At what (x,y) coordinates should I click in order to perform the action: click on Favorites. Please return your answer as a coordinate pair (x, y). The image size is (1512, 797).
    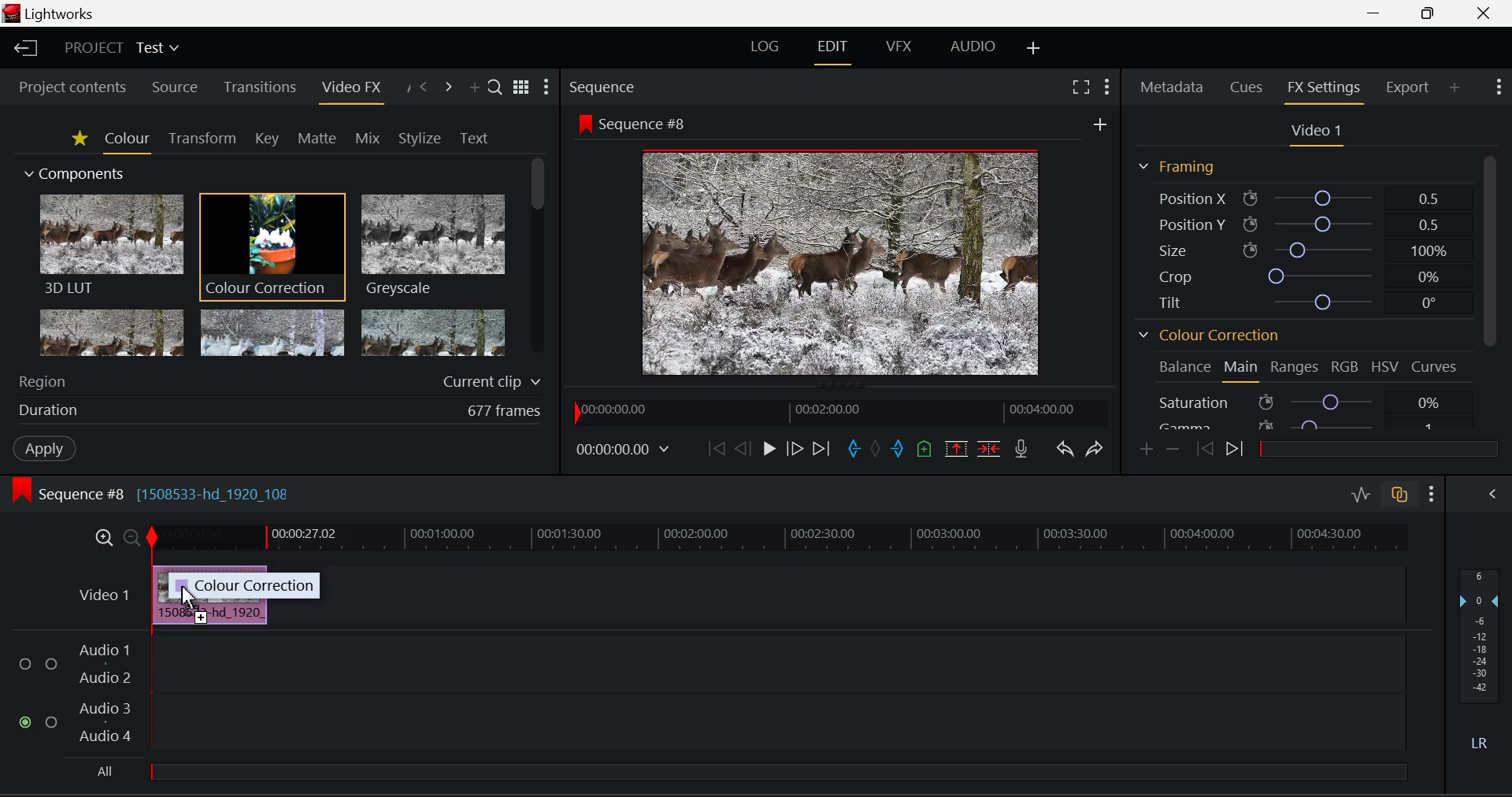
    Looking at the image, I should click on (77, 139).